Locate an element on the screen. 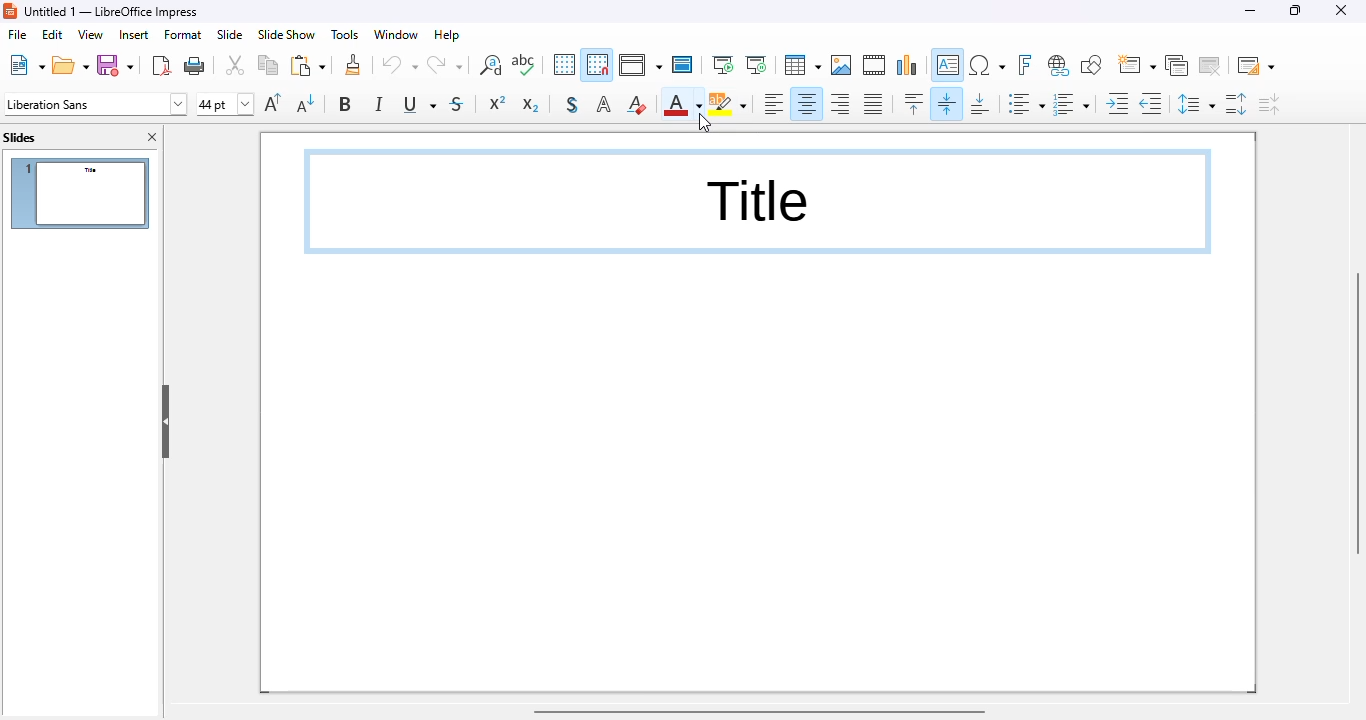 The image size is (1366, 720). bold is located at coordinates (346, 103).